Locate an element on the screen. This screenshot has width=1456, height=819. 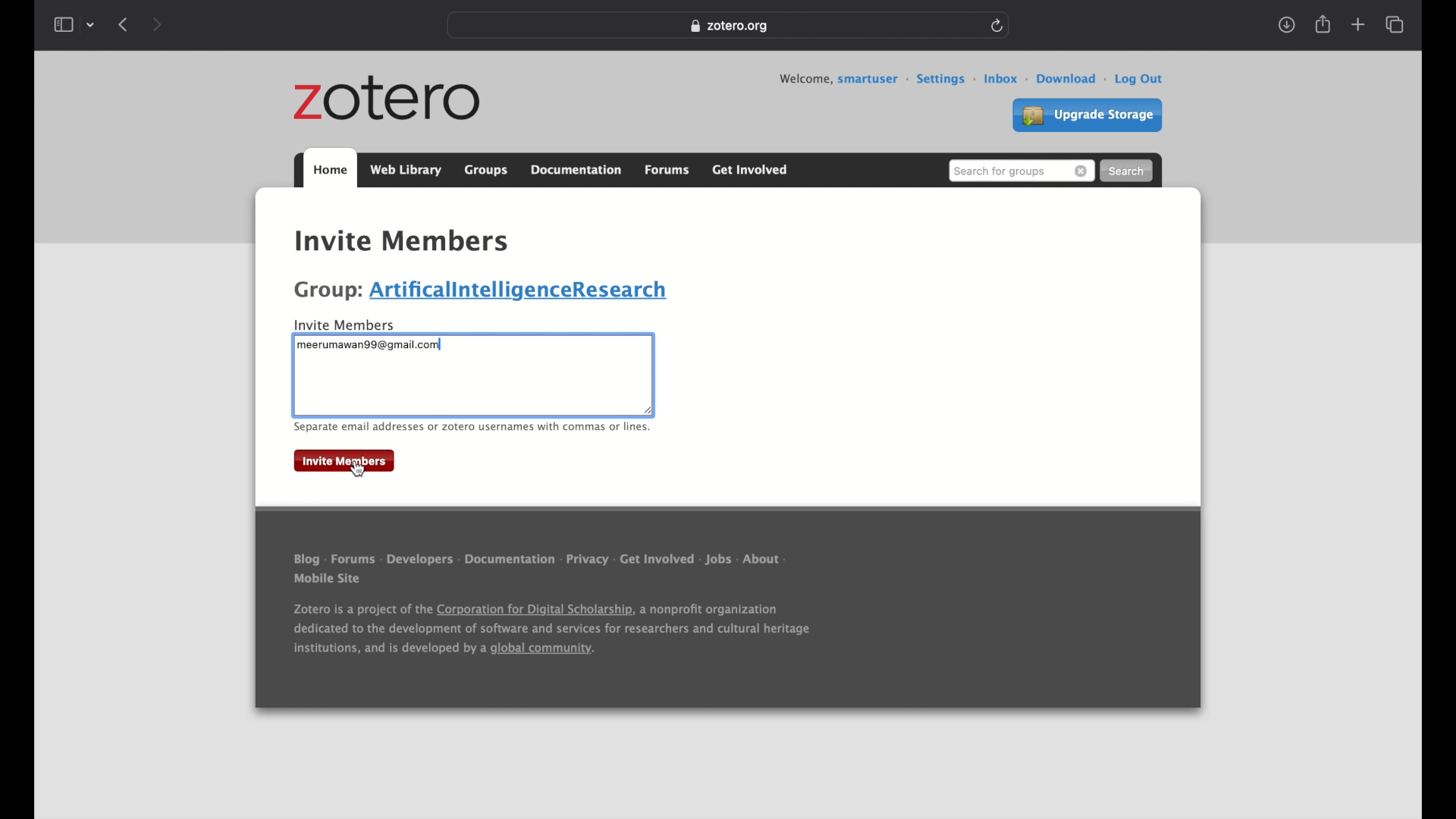
zotero.org is located at coordinates (732, 27).